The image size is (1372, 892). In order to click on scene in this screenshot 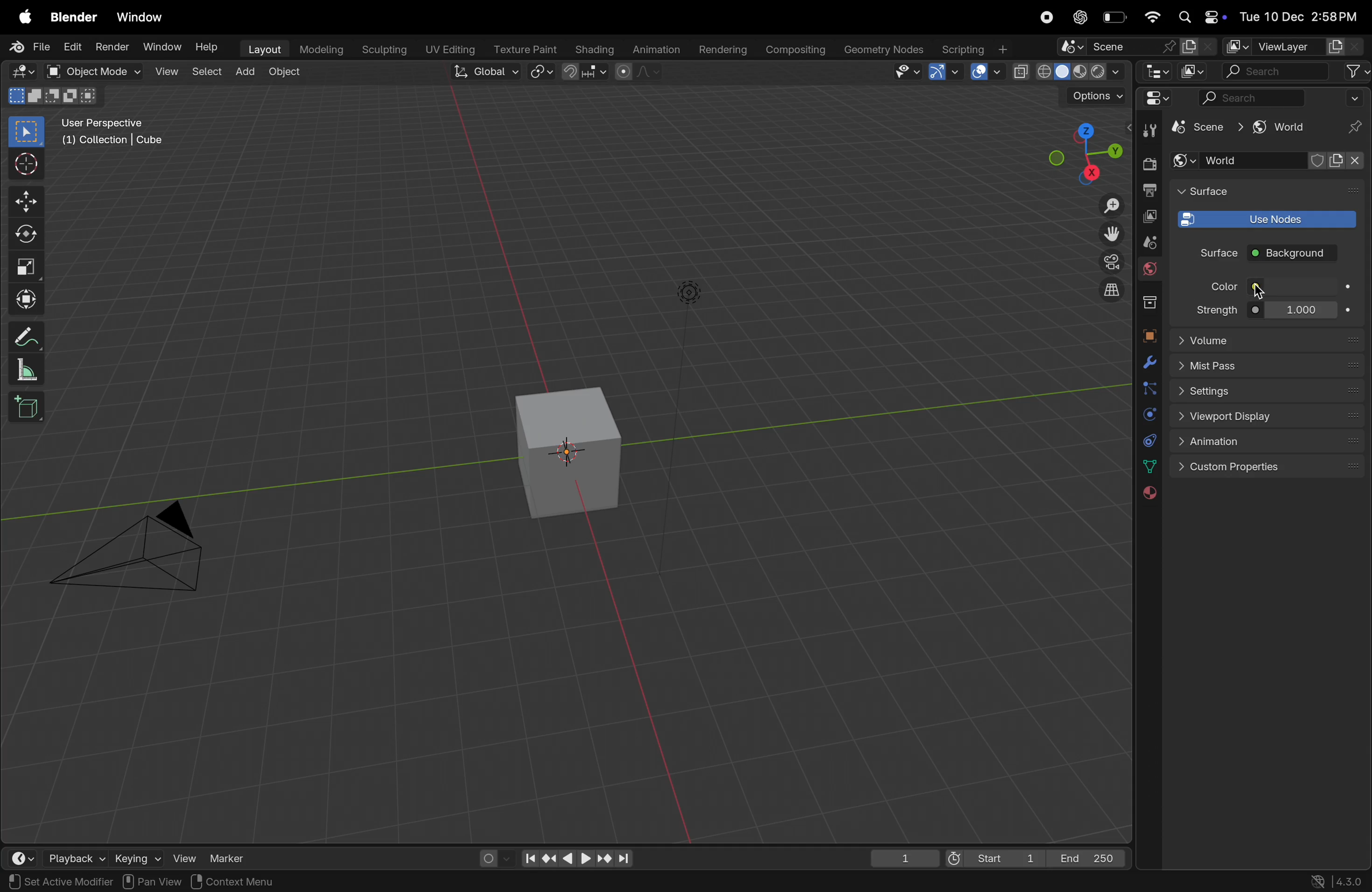, I will do `click(1148, 243)`.